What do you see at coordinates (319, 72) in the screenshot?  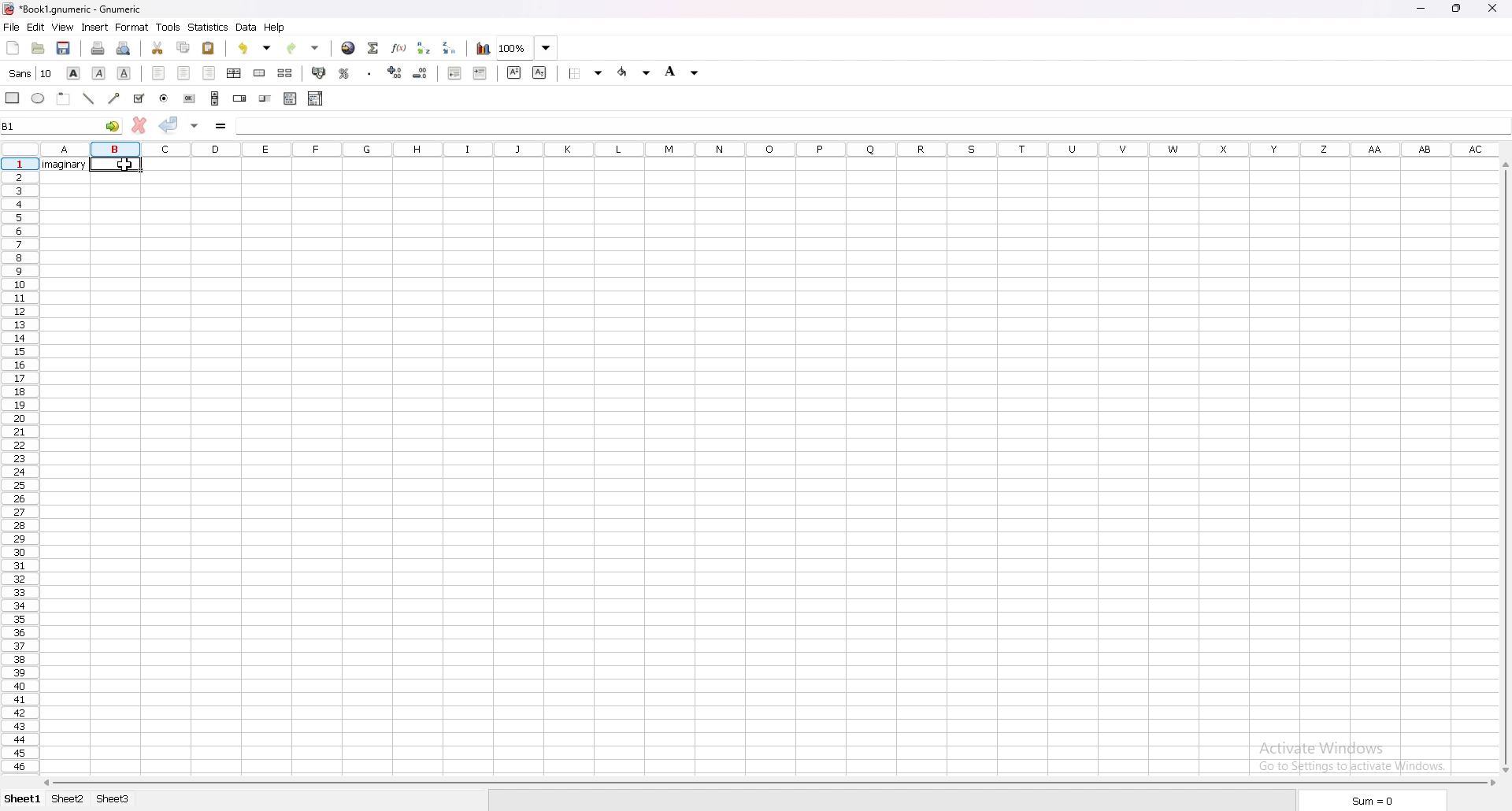 I see `accounting` at bounding box center [319, 72].